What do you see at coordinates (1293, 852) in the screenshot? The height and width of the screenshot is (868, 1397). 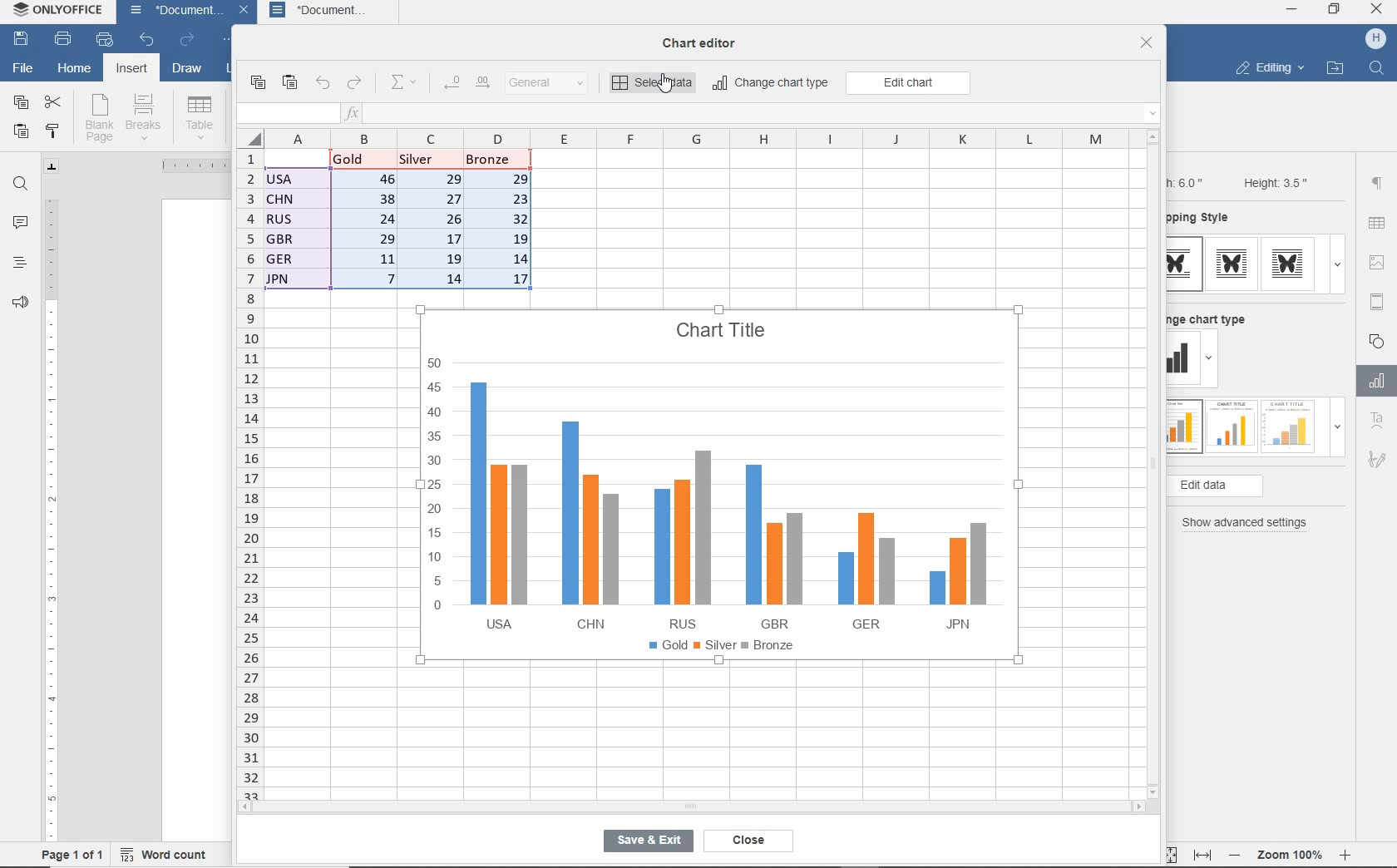 I see `zoom 100%` at bounding box center [1293, 852].